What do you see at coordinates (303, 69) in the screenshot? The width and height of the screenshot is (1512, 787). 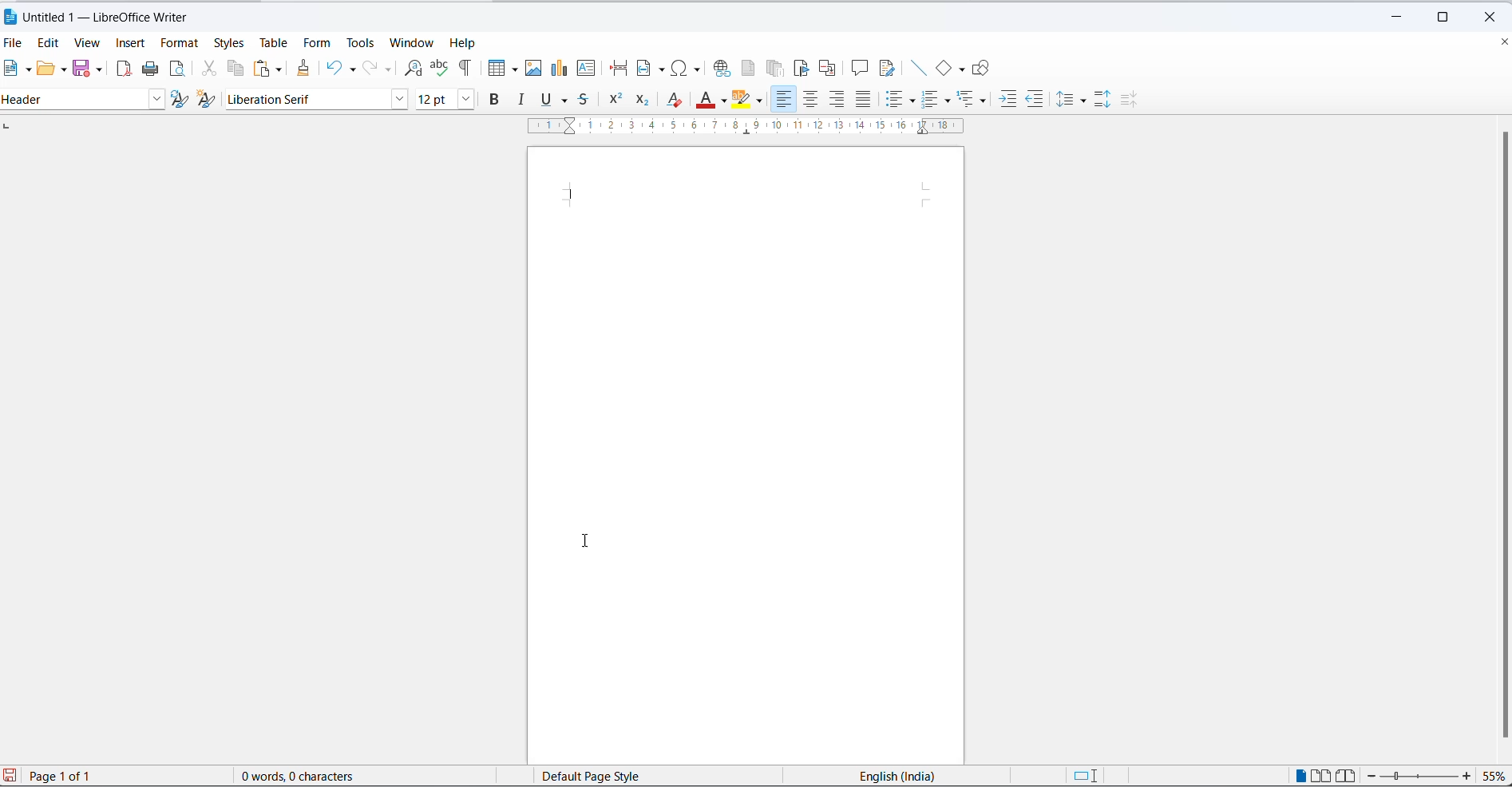 I see `clone formatting` at bounding box center [303, 69].